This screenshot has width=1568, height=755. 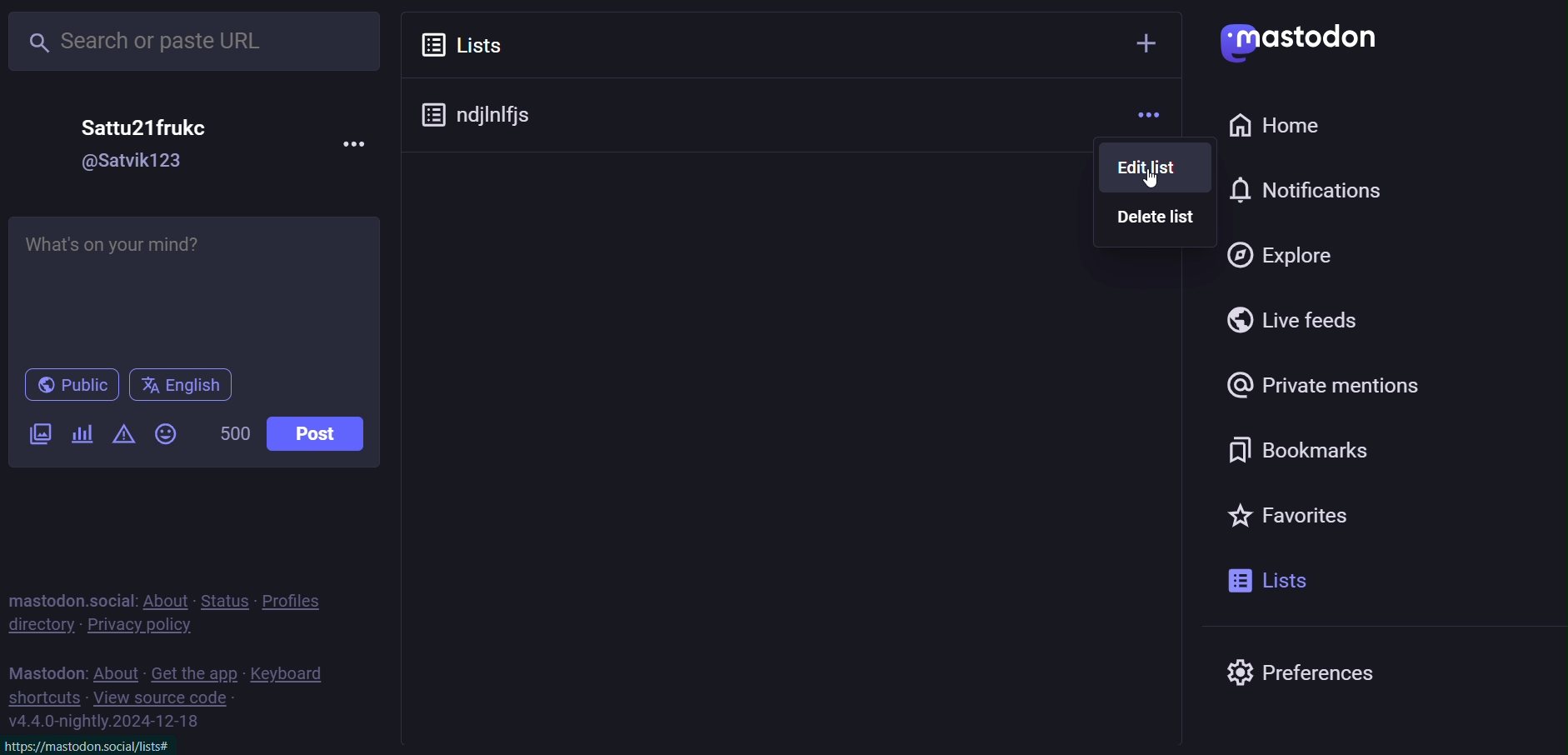 I want to click on more, so click(x=1151, y=115).